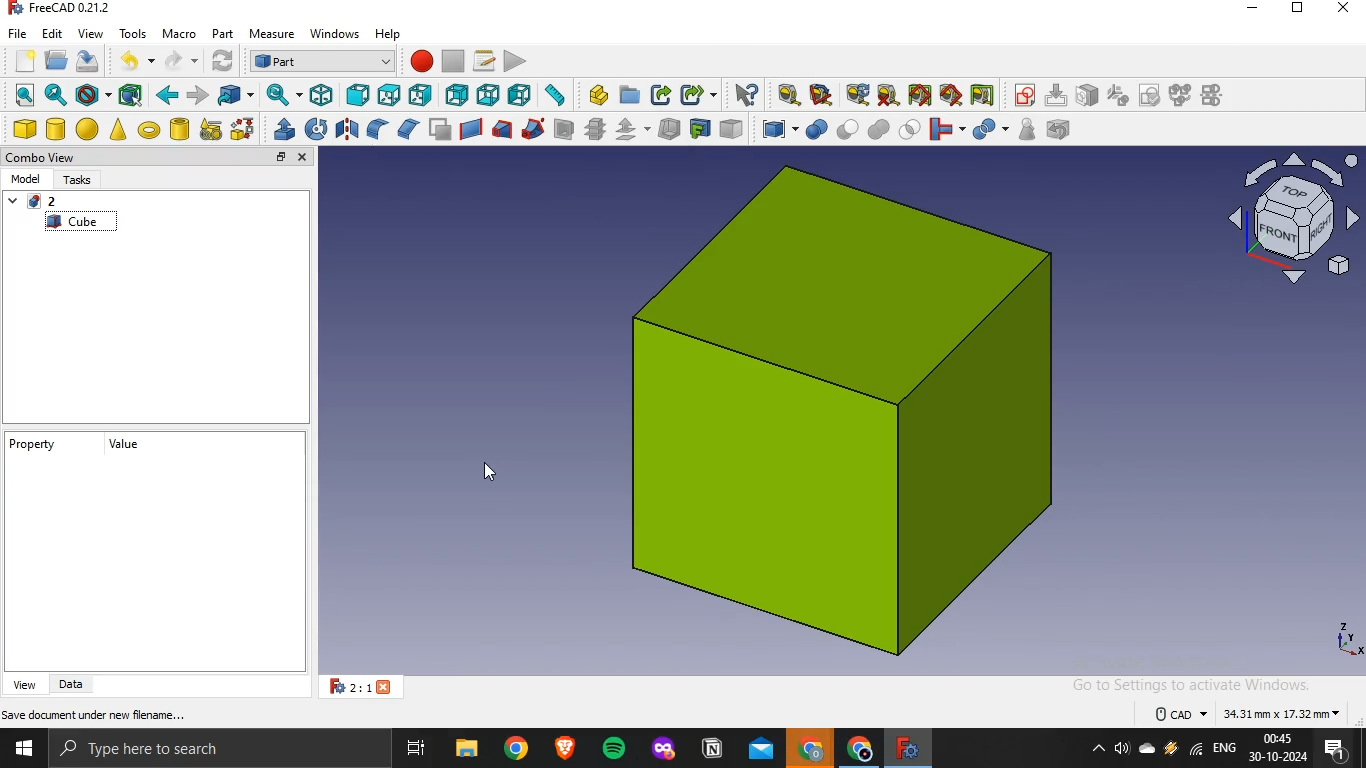  I want to click on icon, so click(1120, 94).